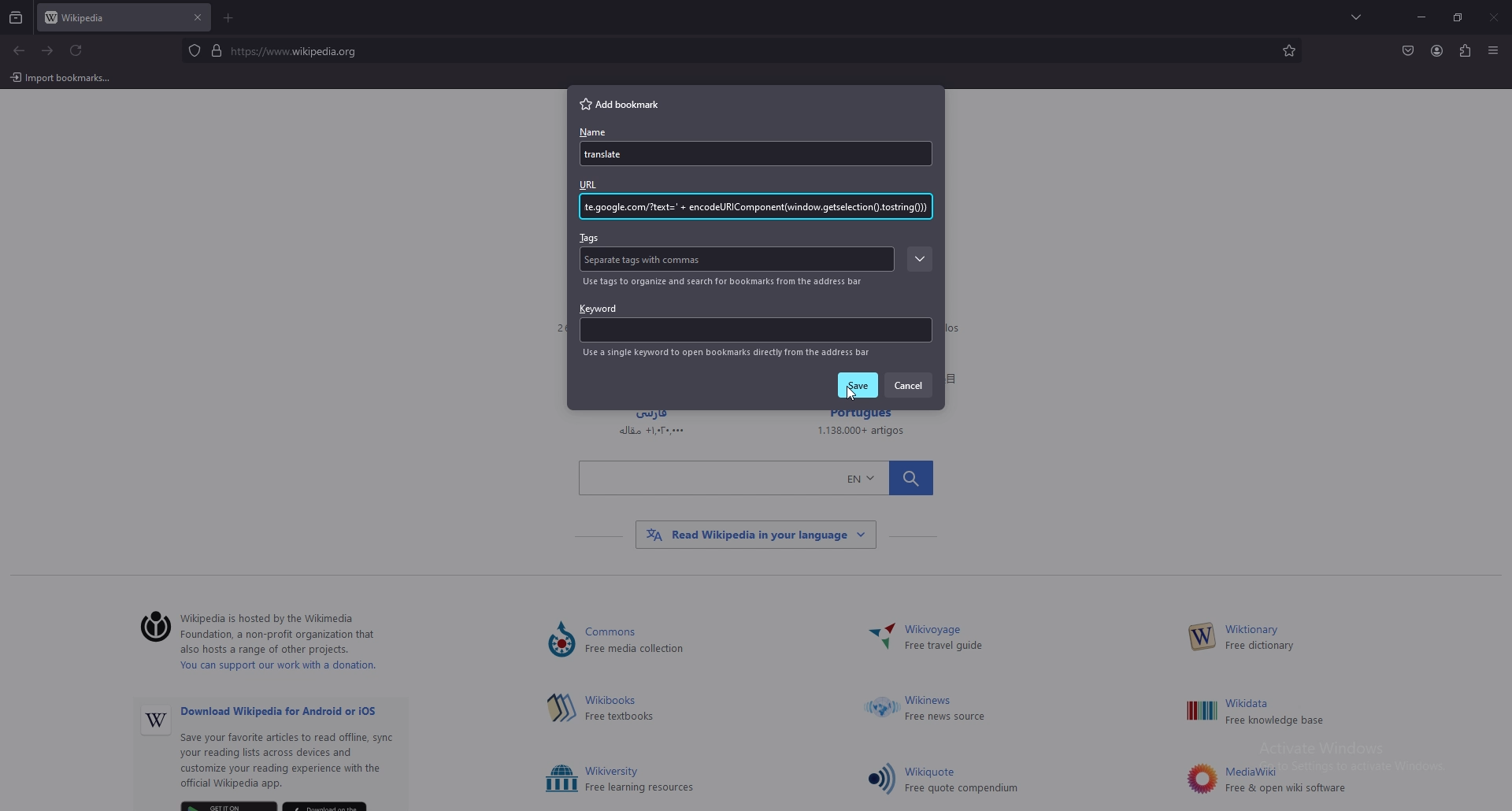  I want to click on , so click(1198, 779).